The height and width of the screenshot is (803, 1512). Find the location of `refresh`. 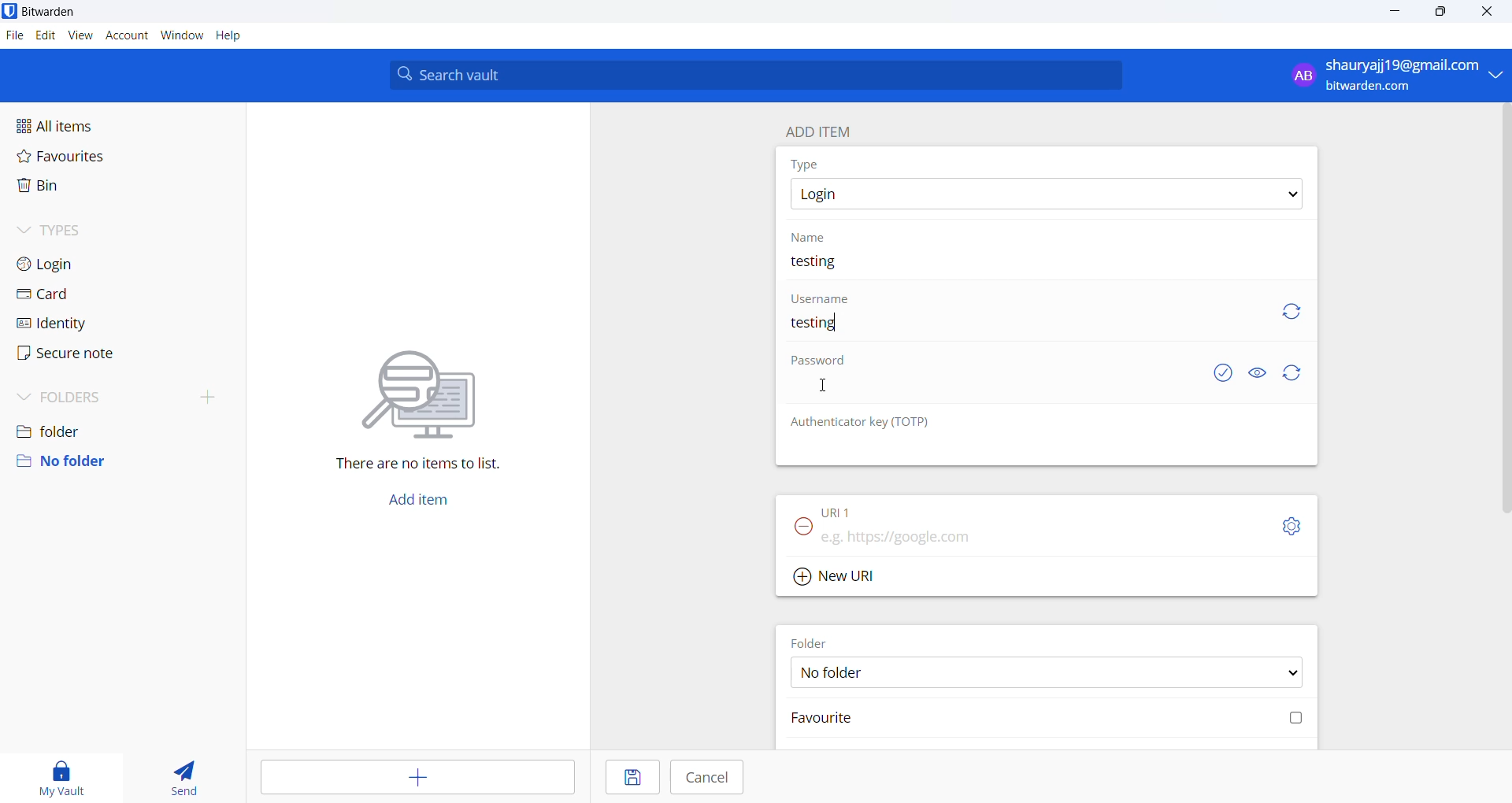

refresh is located at coordinates (1292, 373).